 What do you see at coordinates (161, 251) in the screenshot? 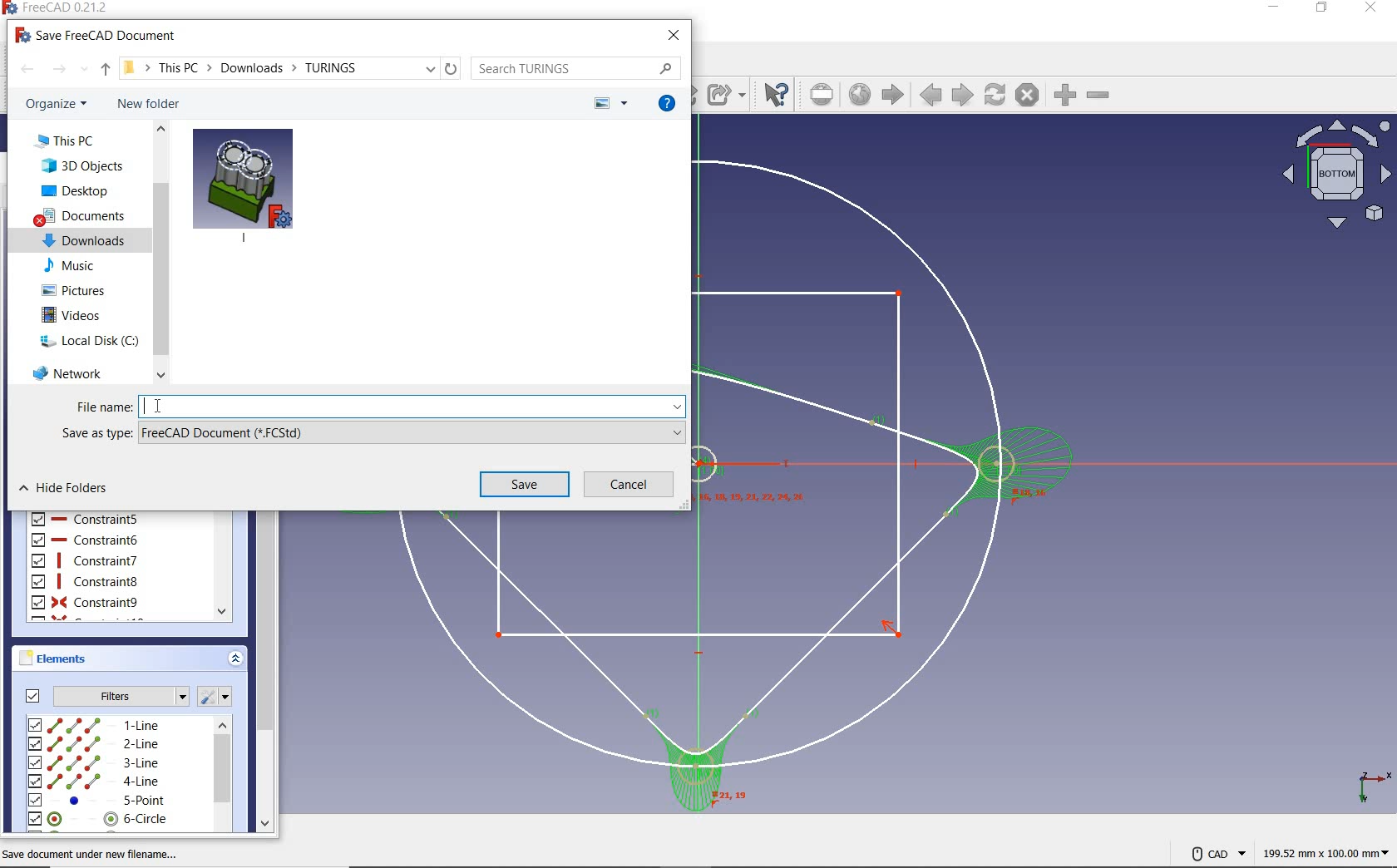
I see `scroll bar` at bounding box center [161, 251].